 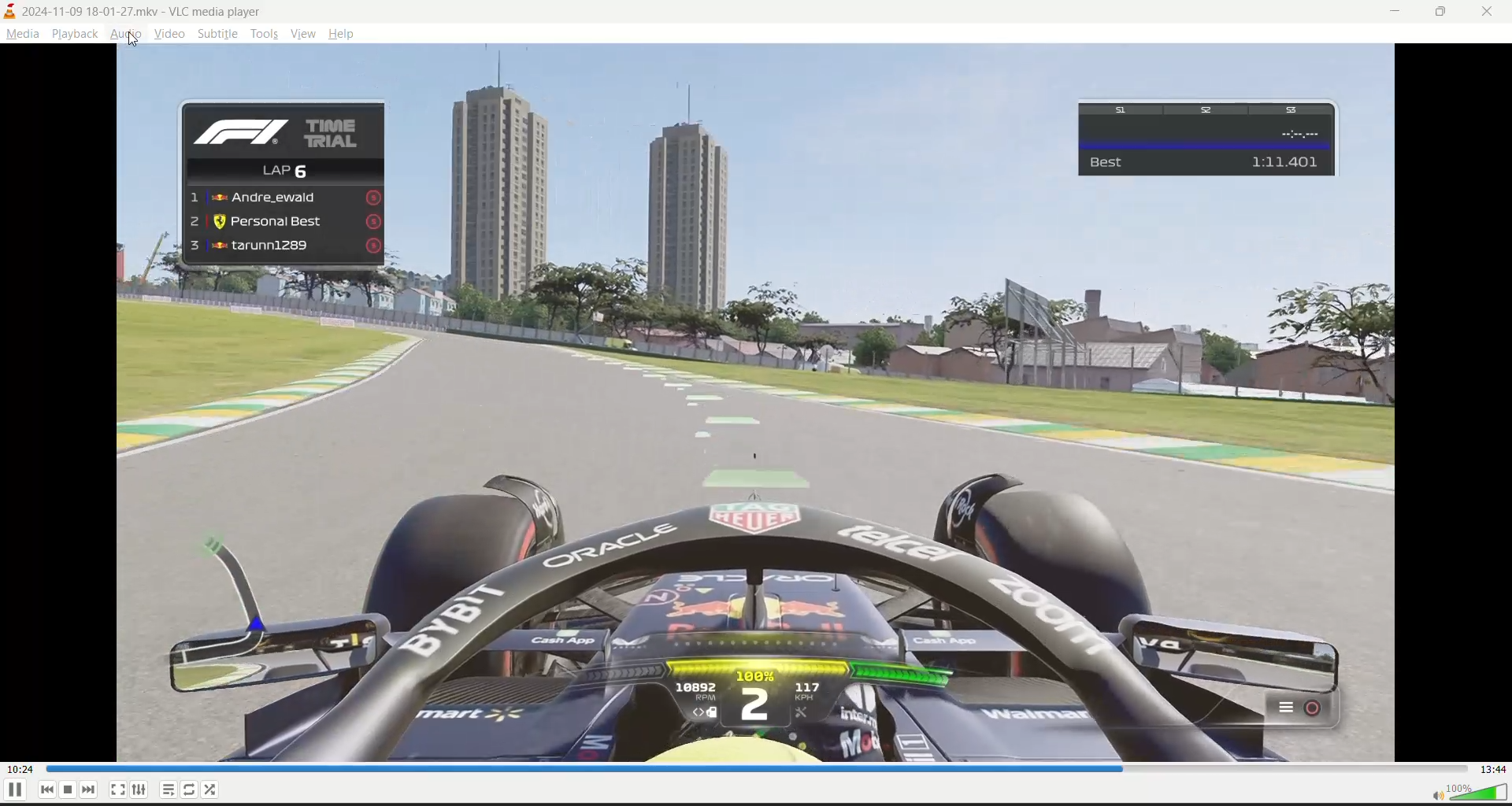 I want to click on next, so click(x=86, y=790).